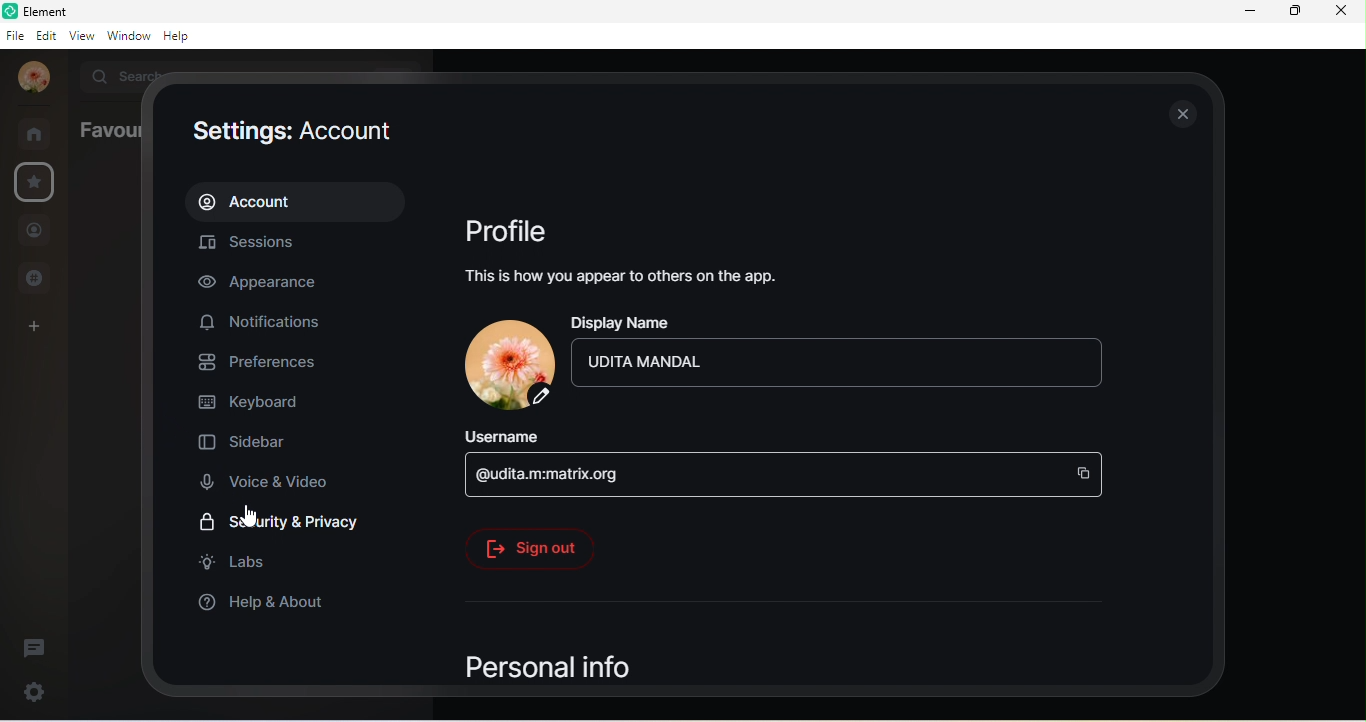  I want to click on view, so click(85, 37).